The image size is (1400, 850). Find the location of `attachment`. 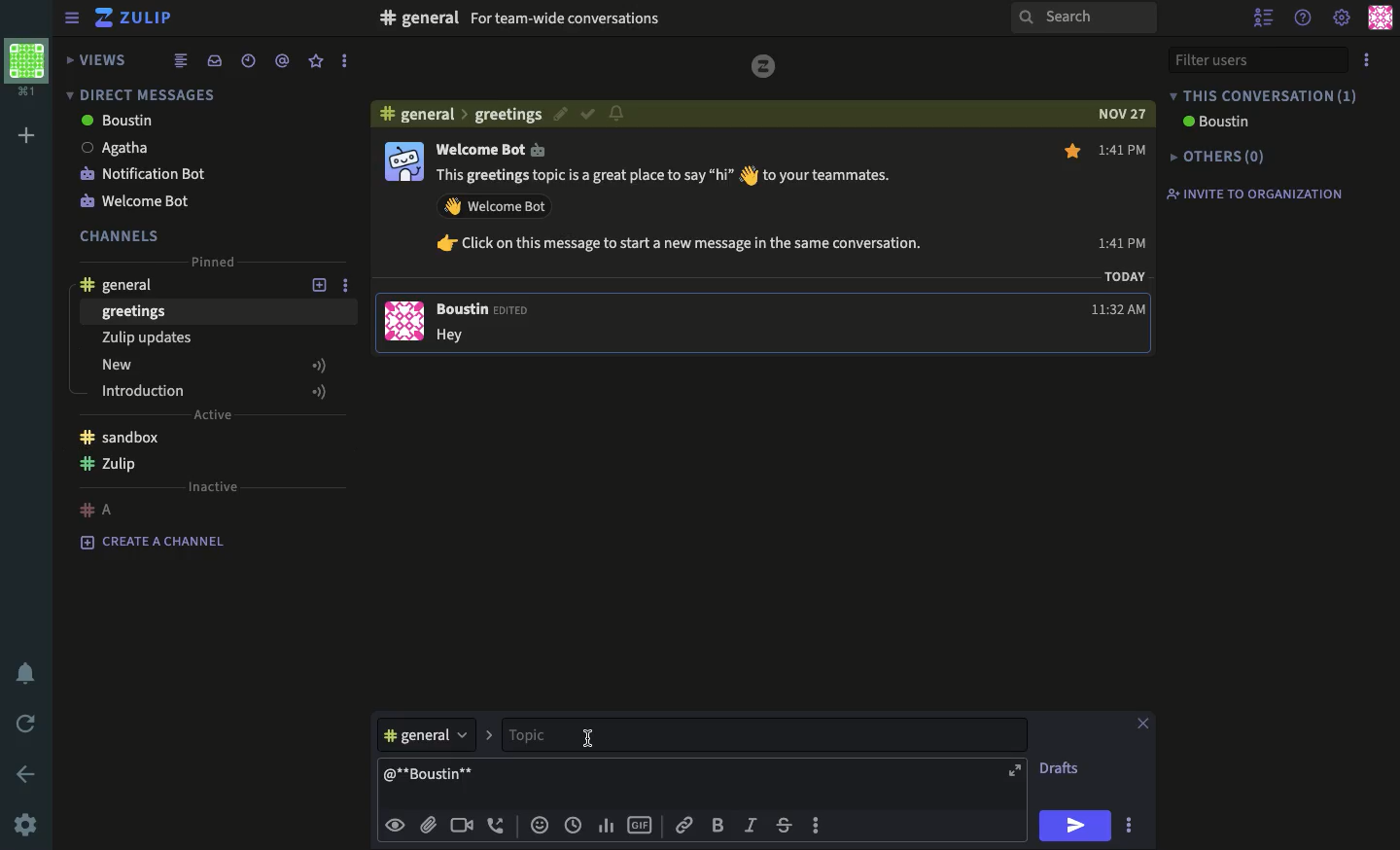

attachment is located at coordinates (429, 826).